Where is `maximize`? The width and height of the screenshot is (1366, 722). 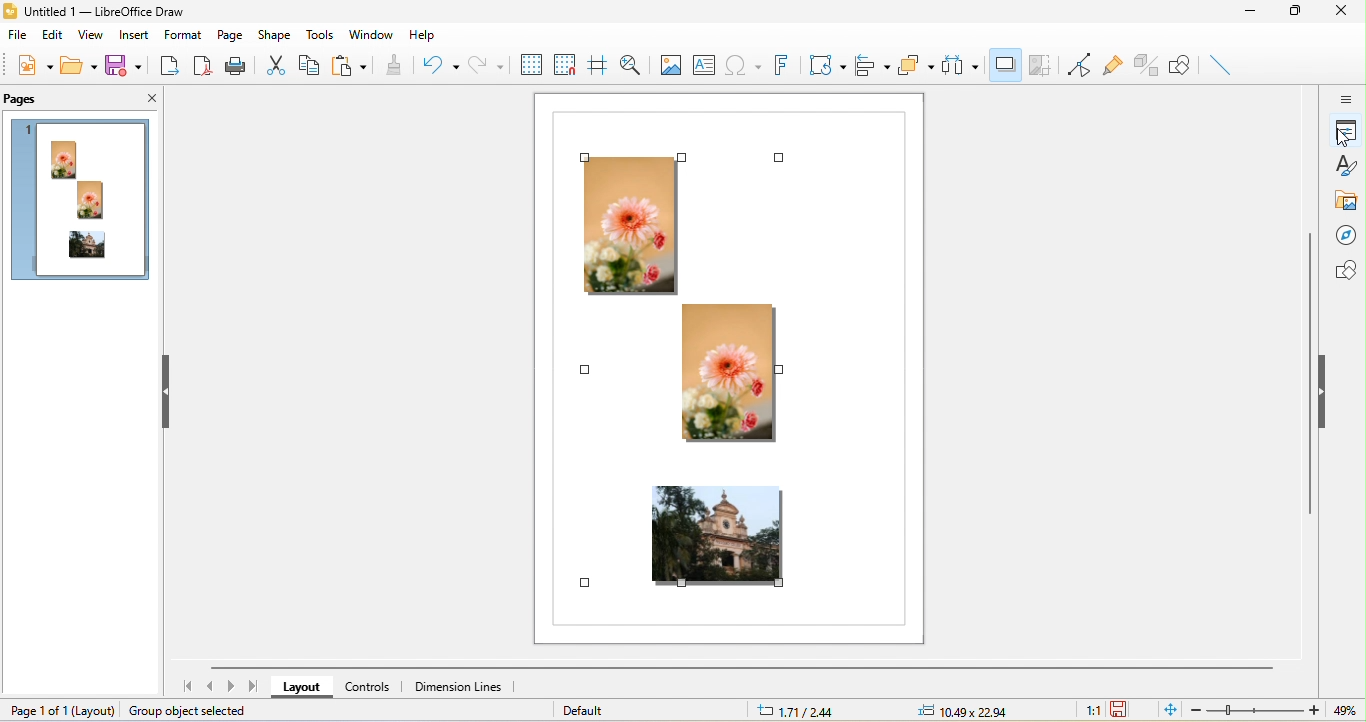
maximize is located at coordinates (1300, 12).